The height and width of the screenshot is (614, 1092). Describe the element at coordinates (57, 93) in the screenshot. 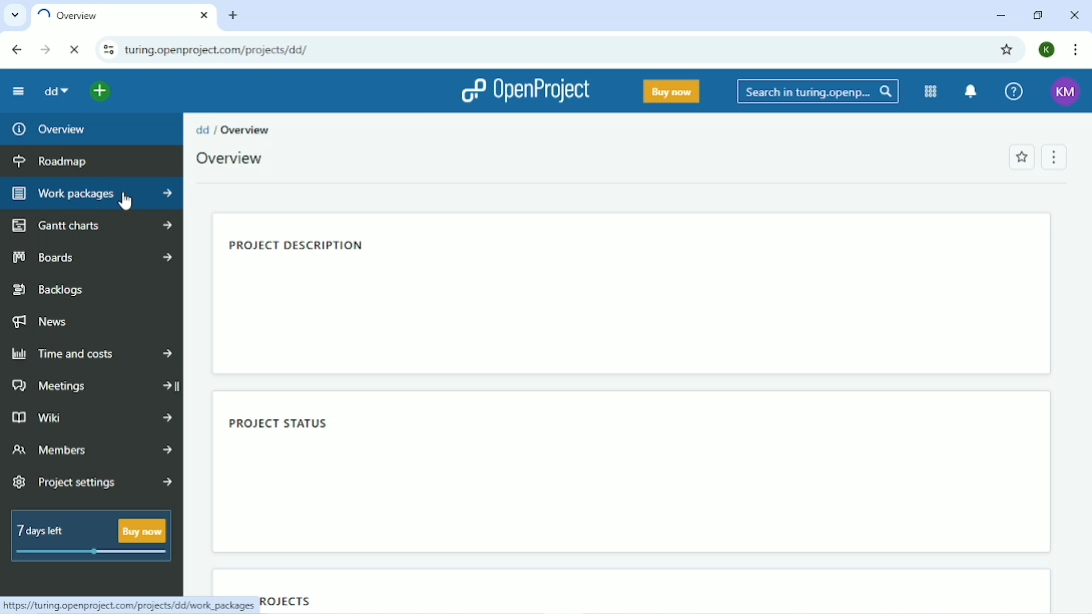

I see `dd` at that location.